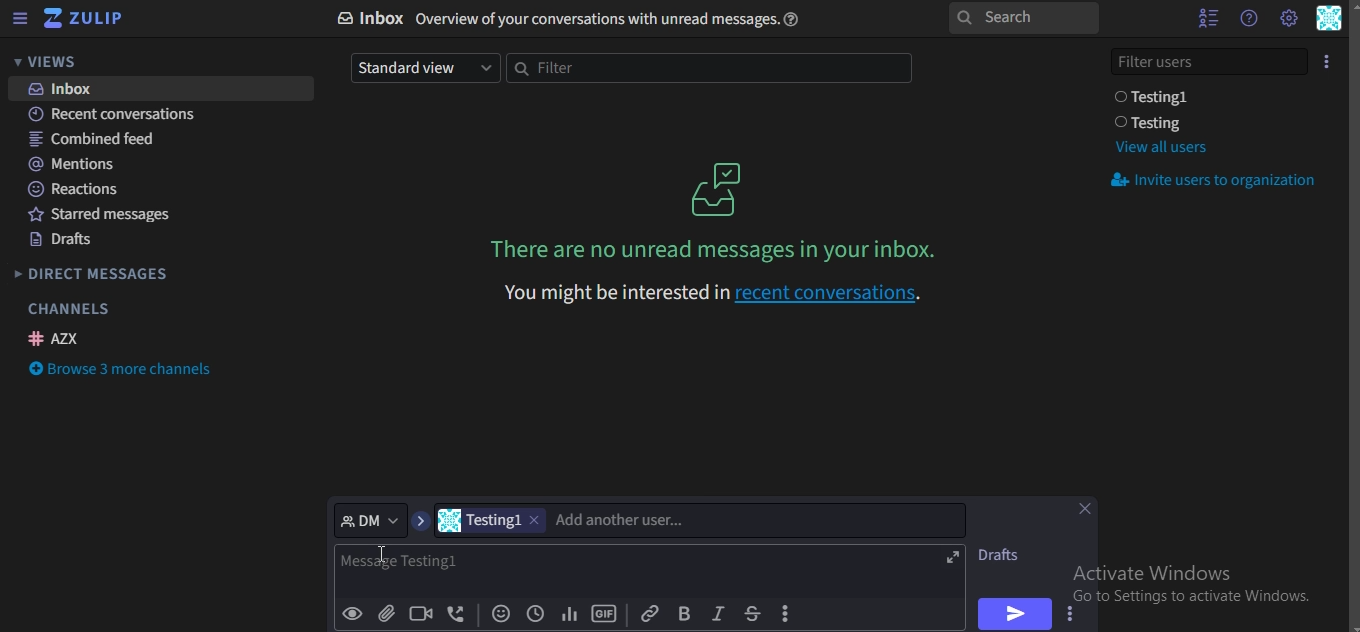 Image resolution: width=1360 pixels, height=632 pixels. Describe the element at coordinates (788, 614) in the screenshot. I see `compose actions` at that location.